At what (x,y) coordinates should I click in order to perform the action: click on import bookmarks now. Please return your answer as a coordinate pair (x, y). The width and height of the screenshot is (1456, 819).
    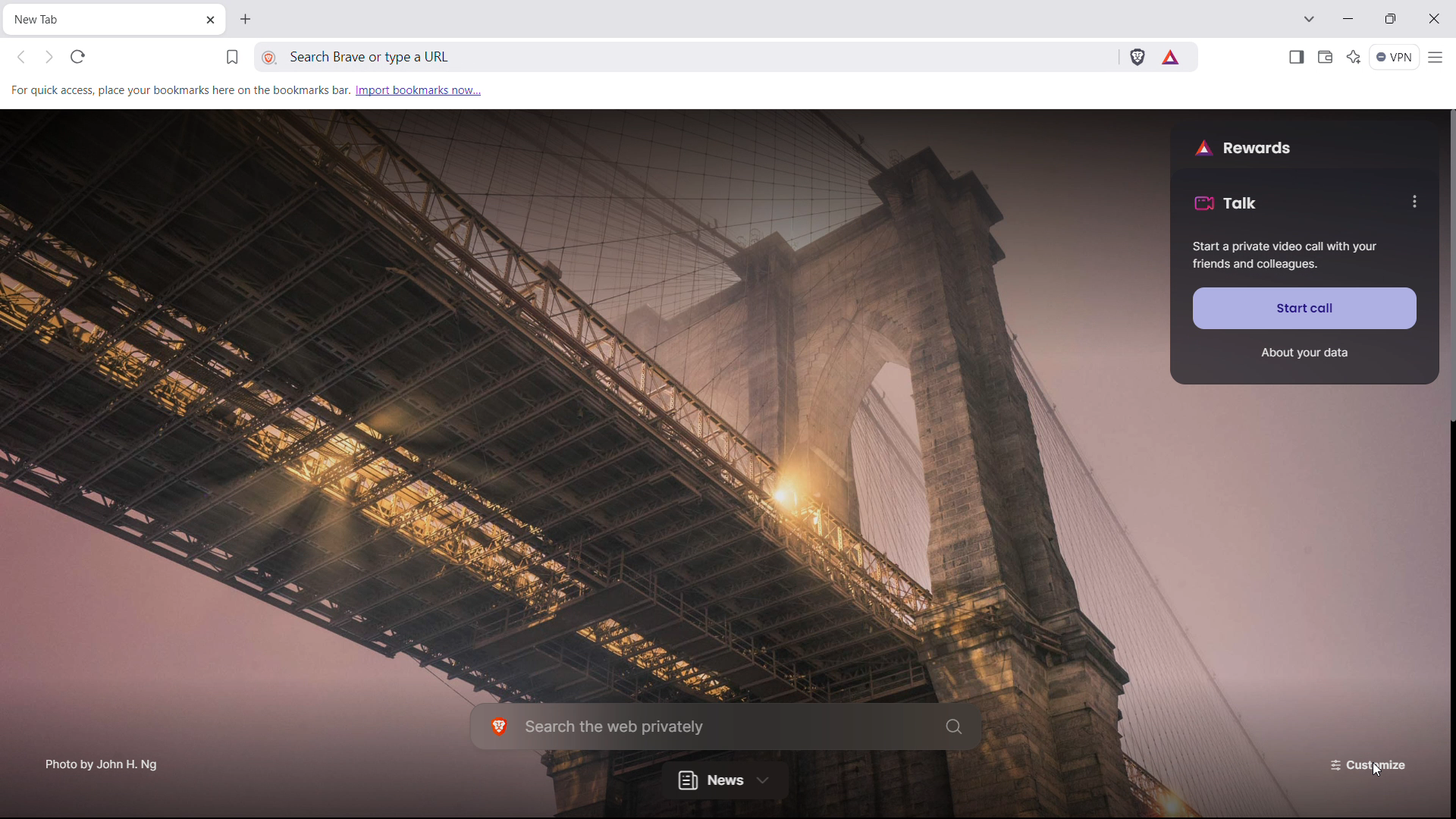
    Looking at the image, I should click on (419, 89).